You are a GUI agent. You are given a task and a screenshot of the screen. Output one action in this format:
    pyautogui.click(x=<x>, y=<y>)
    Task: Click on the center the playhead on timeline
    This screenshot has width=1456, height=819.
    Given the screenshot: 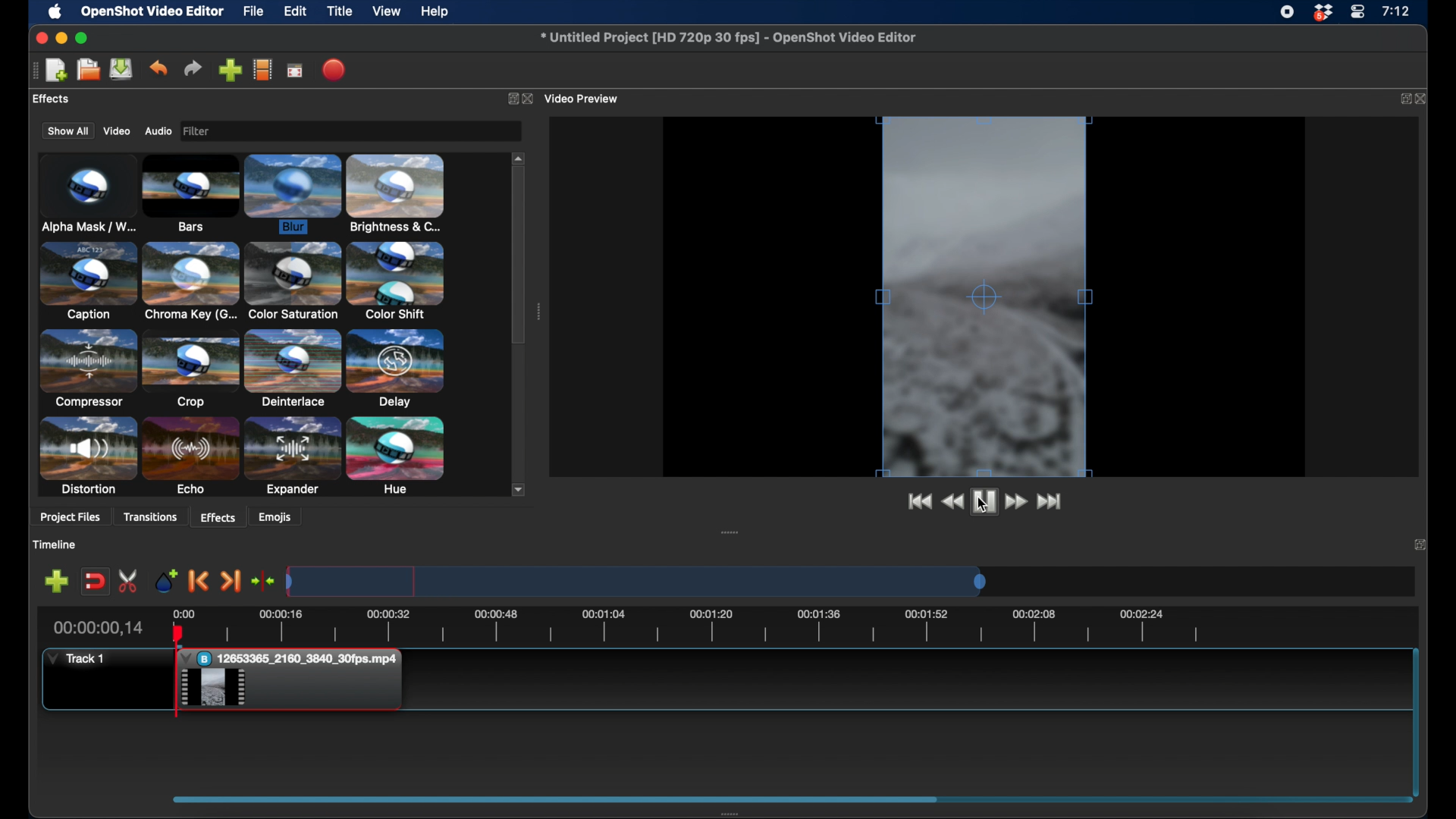 What is the action you would take?
    pyautogui.click(x=264, y=580)
    